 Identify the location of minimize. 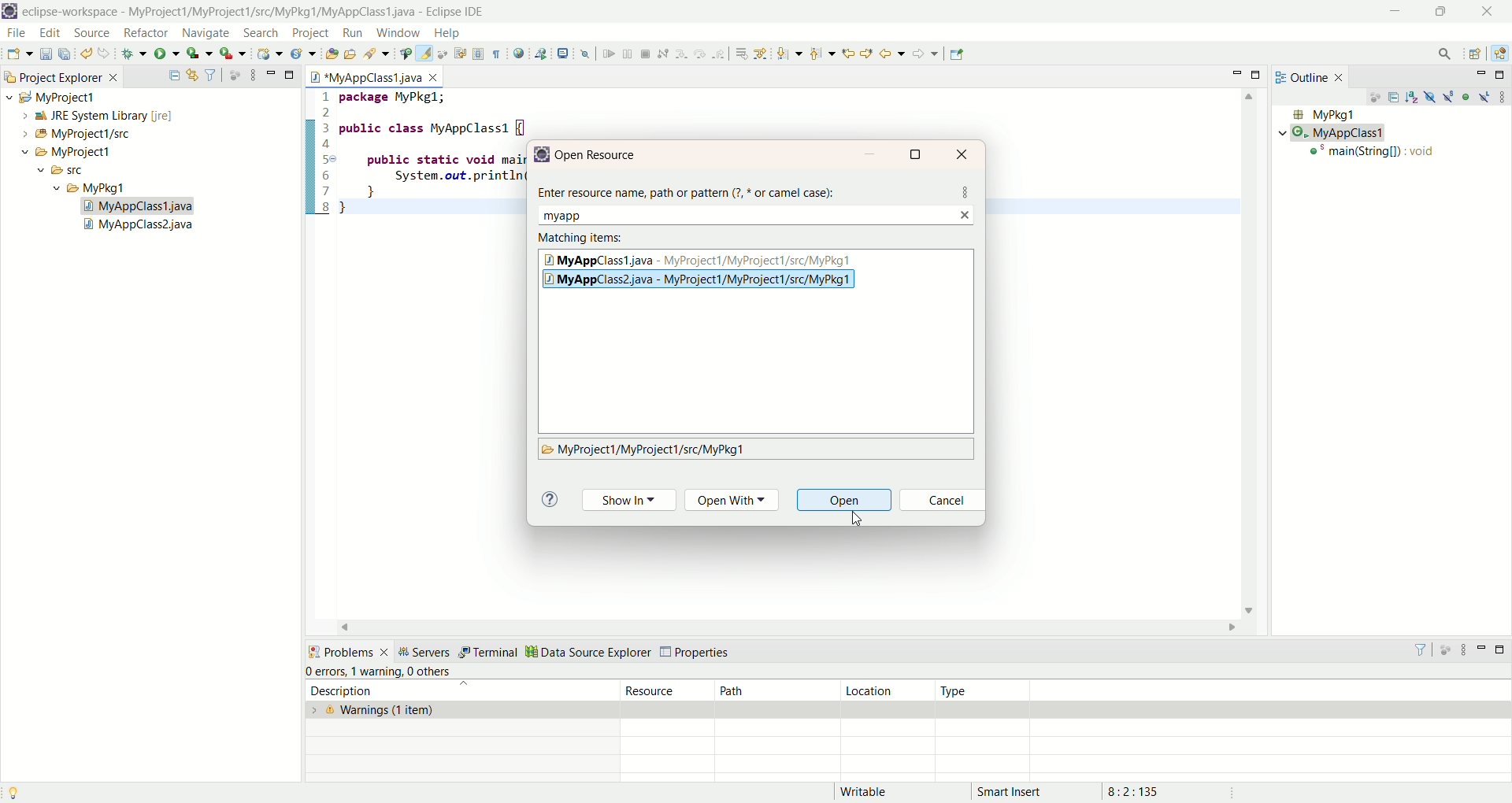
(1240, 72).